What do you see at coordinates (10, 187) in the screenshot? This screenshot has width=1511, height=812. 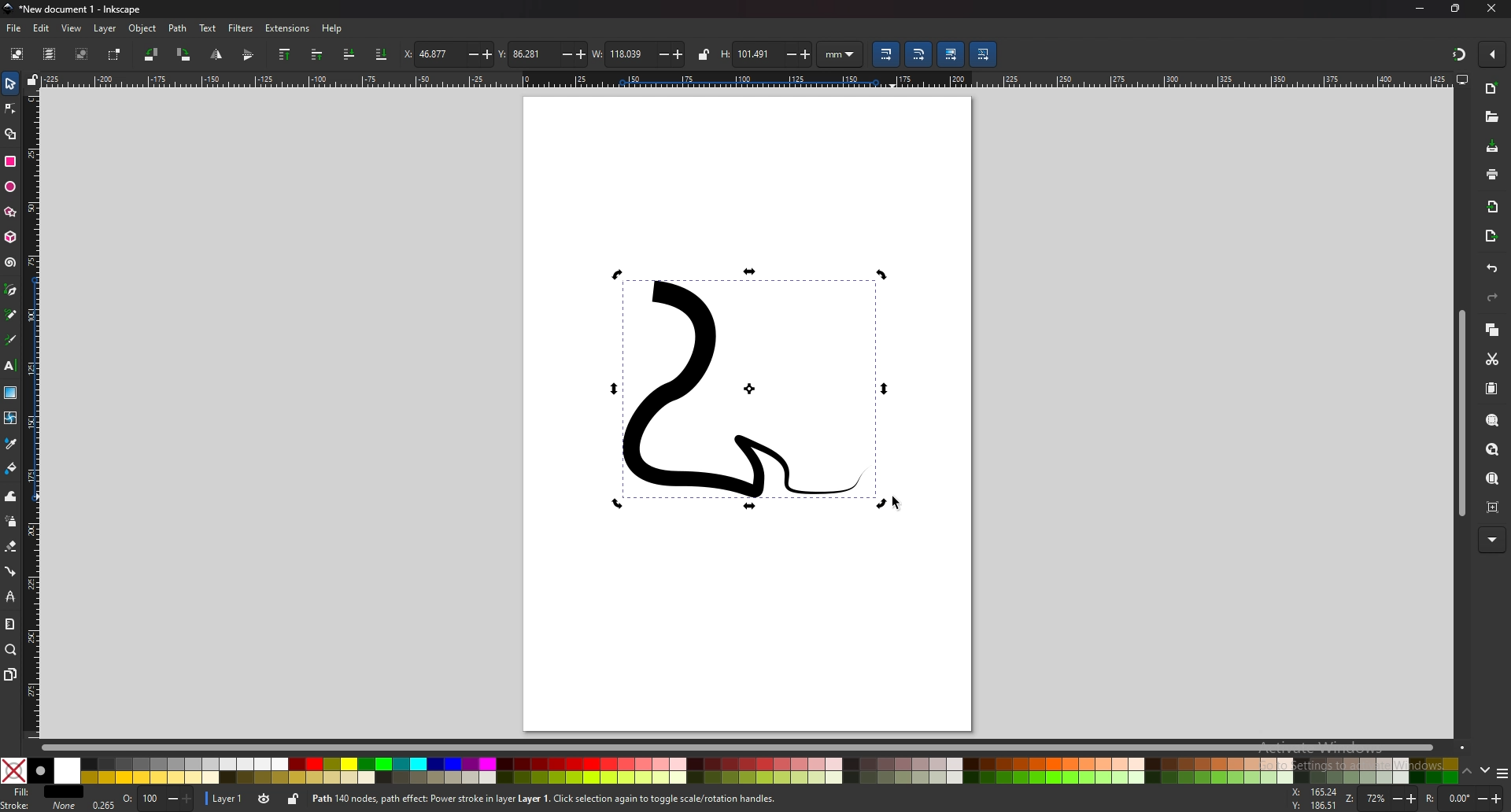 I see `ellipse` at bounding box center [10, 187].